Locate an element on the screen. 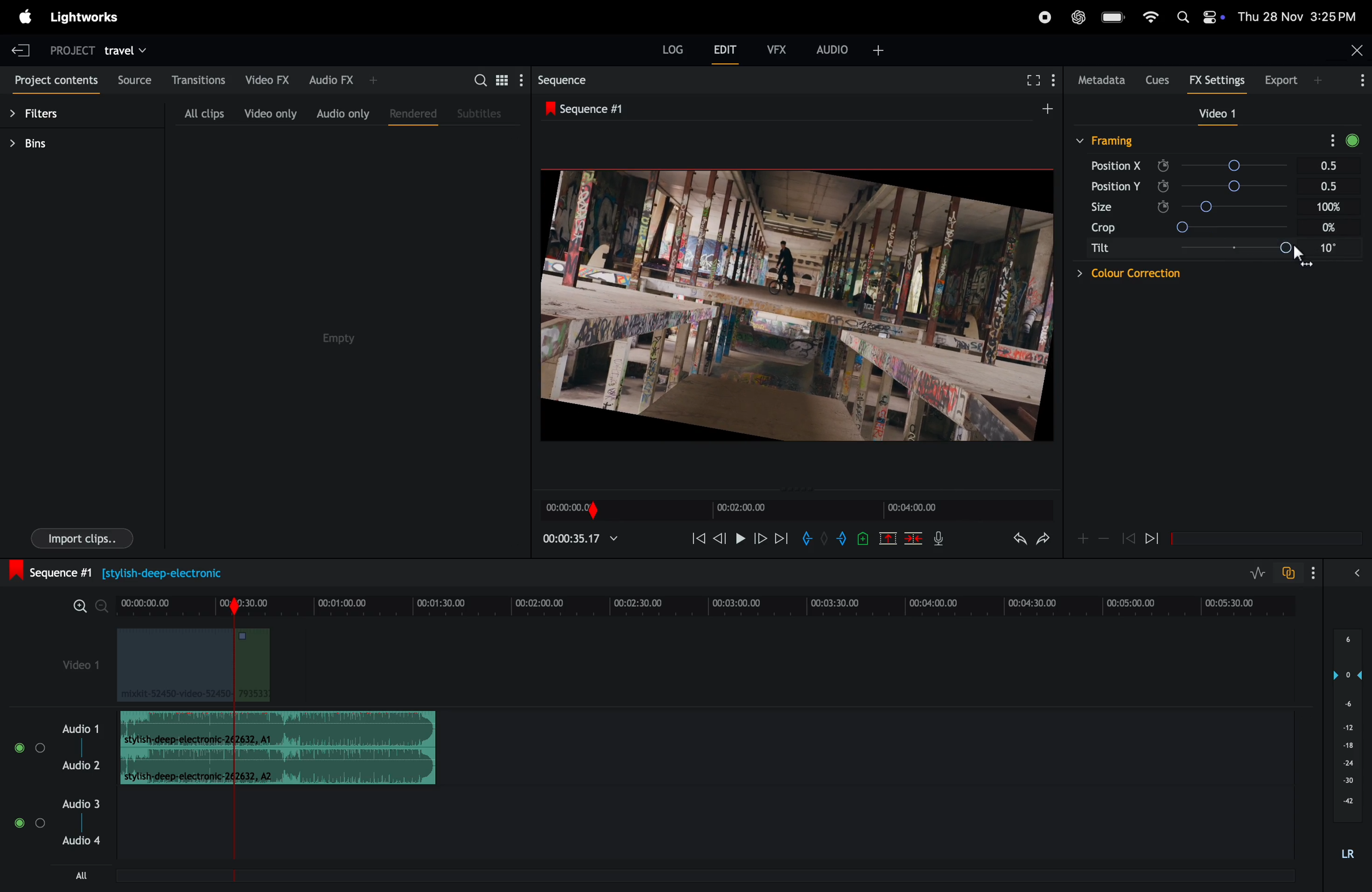  empty is located at coordinates (337, 336).